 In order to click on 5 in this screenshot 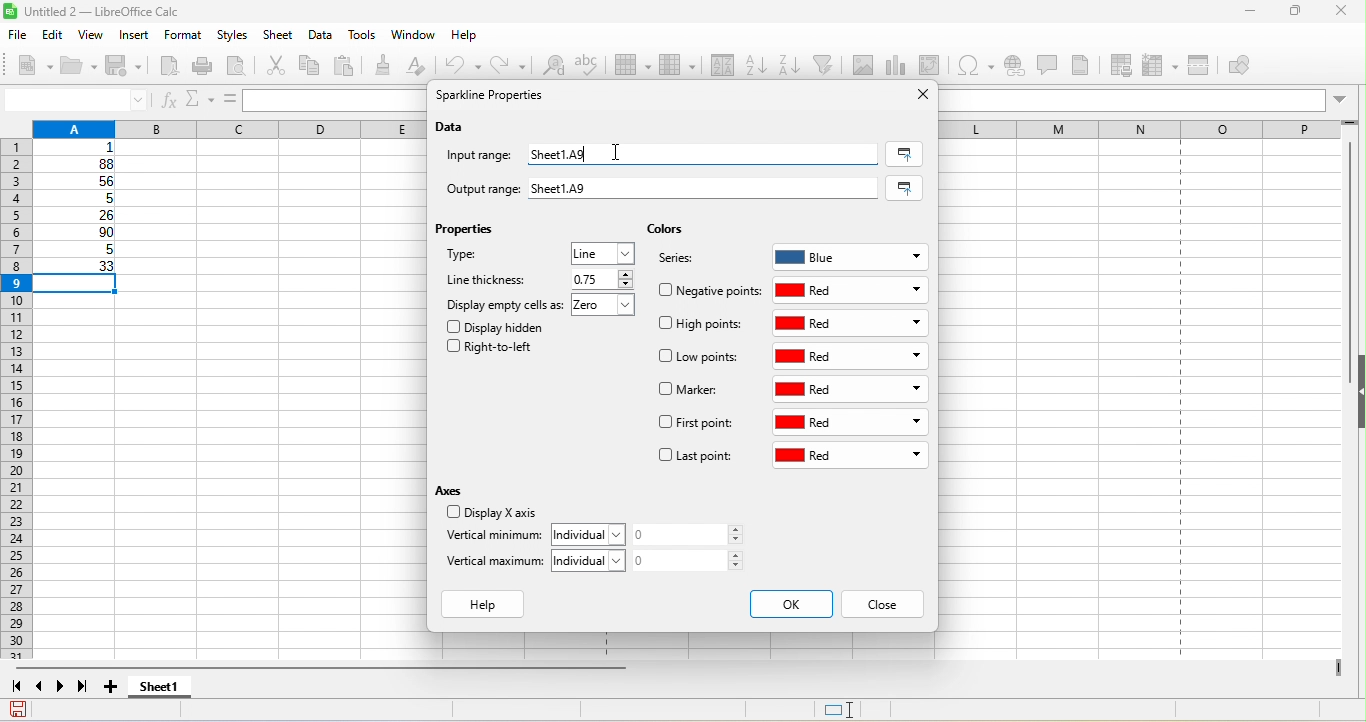, I will do `click(76, 252)`.